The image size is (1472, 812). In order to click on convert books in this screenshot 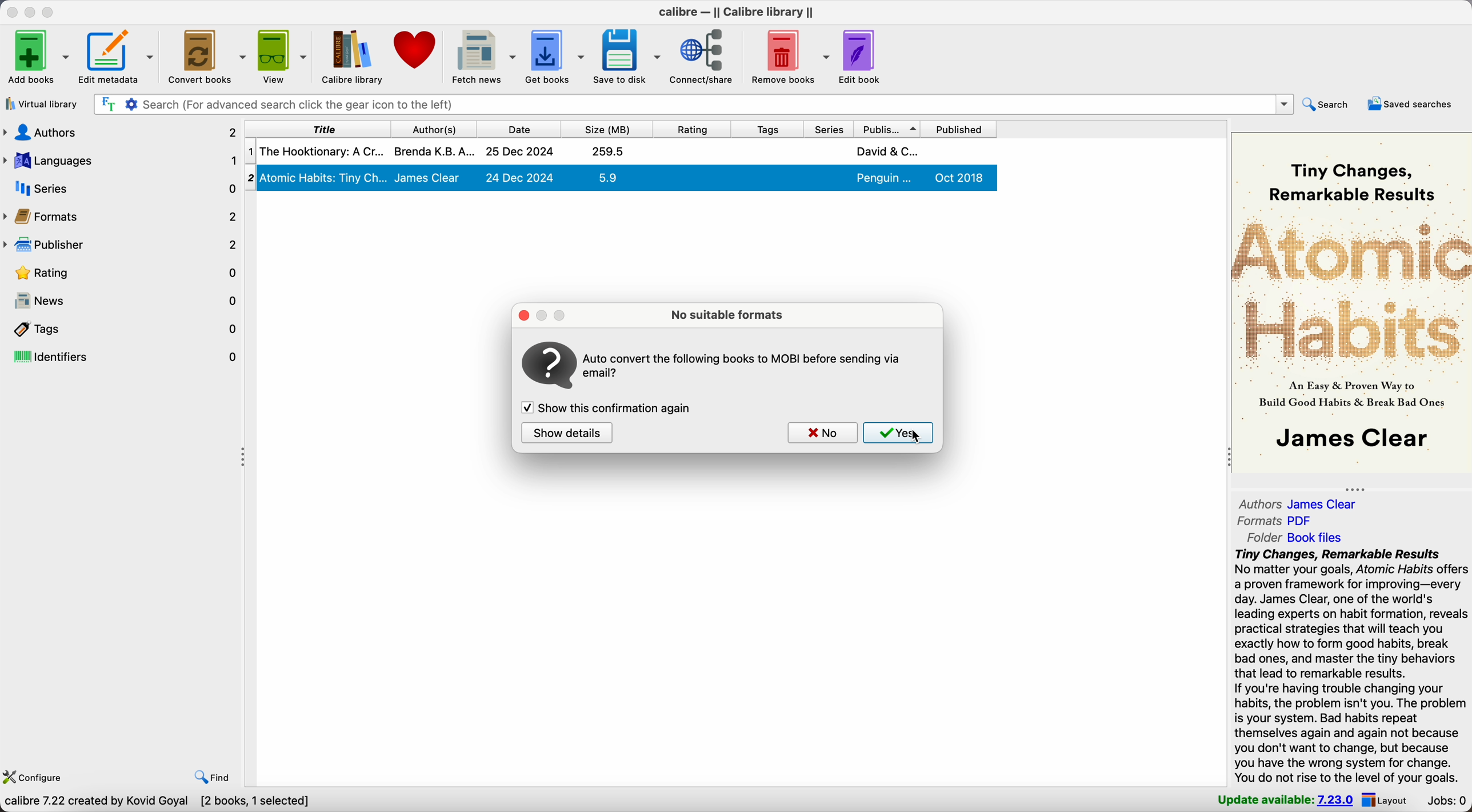, I will do `click(208, 57)`.